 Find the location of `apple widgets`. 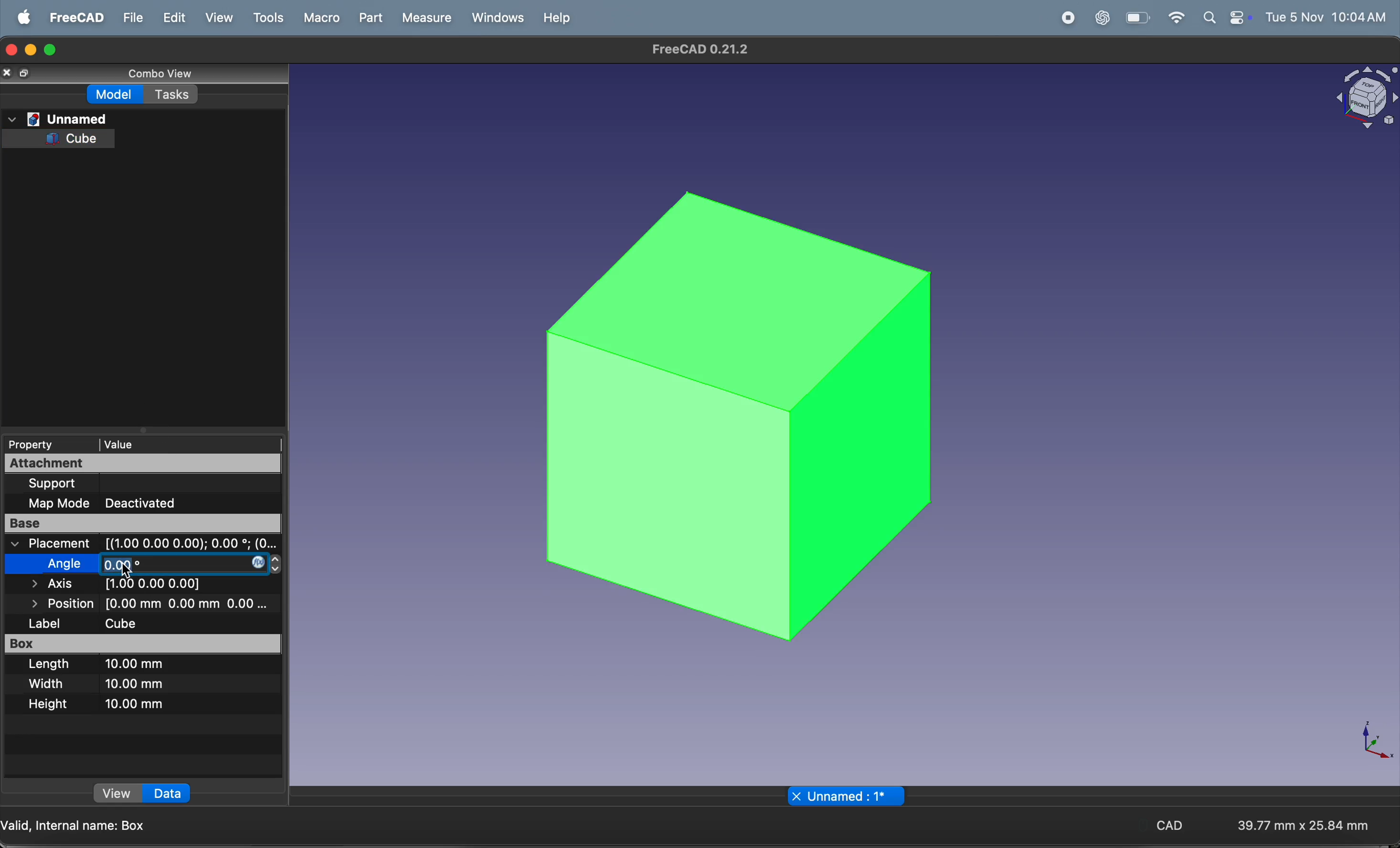

apple widgets is located at coordinates (1210, 17).